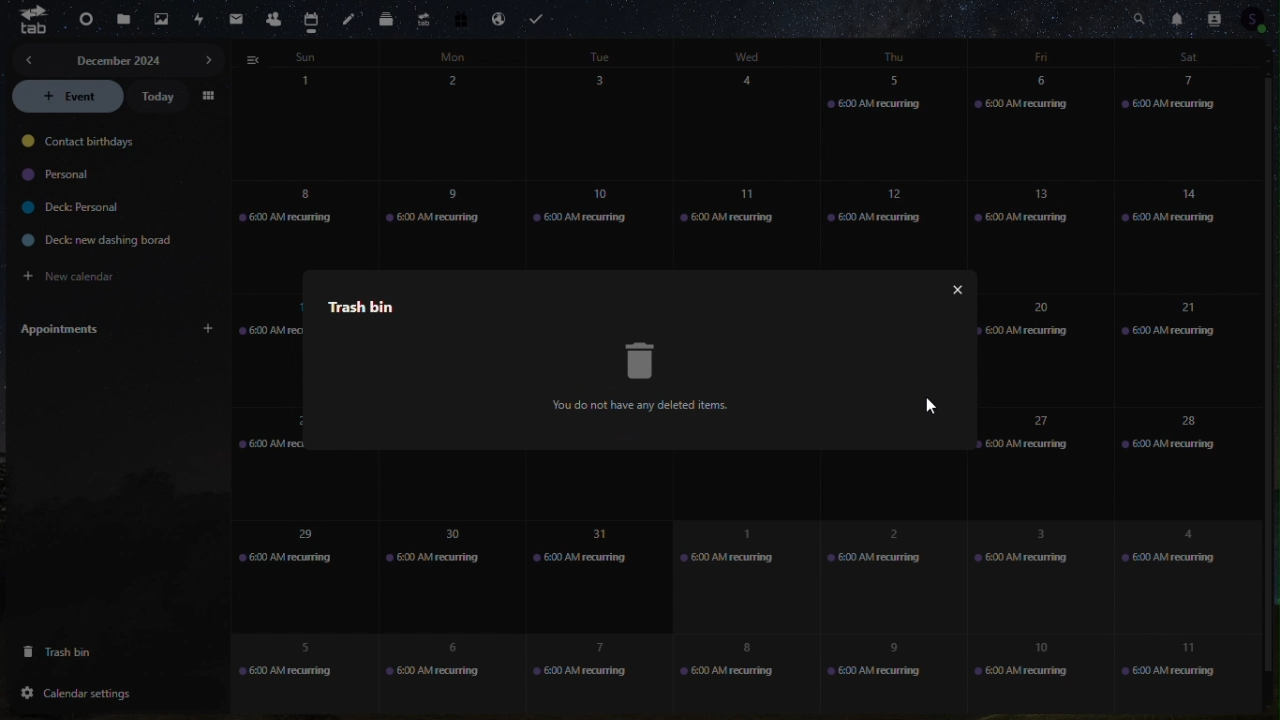  I want to click on 20, so click(1028, 322).